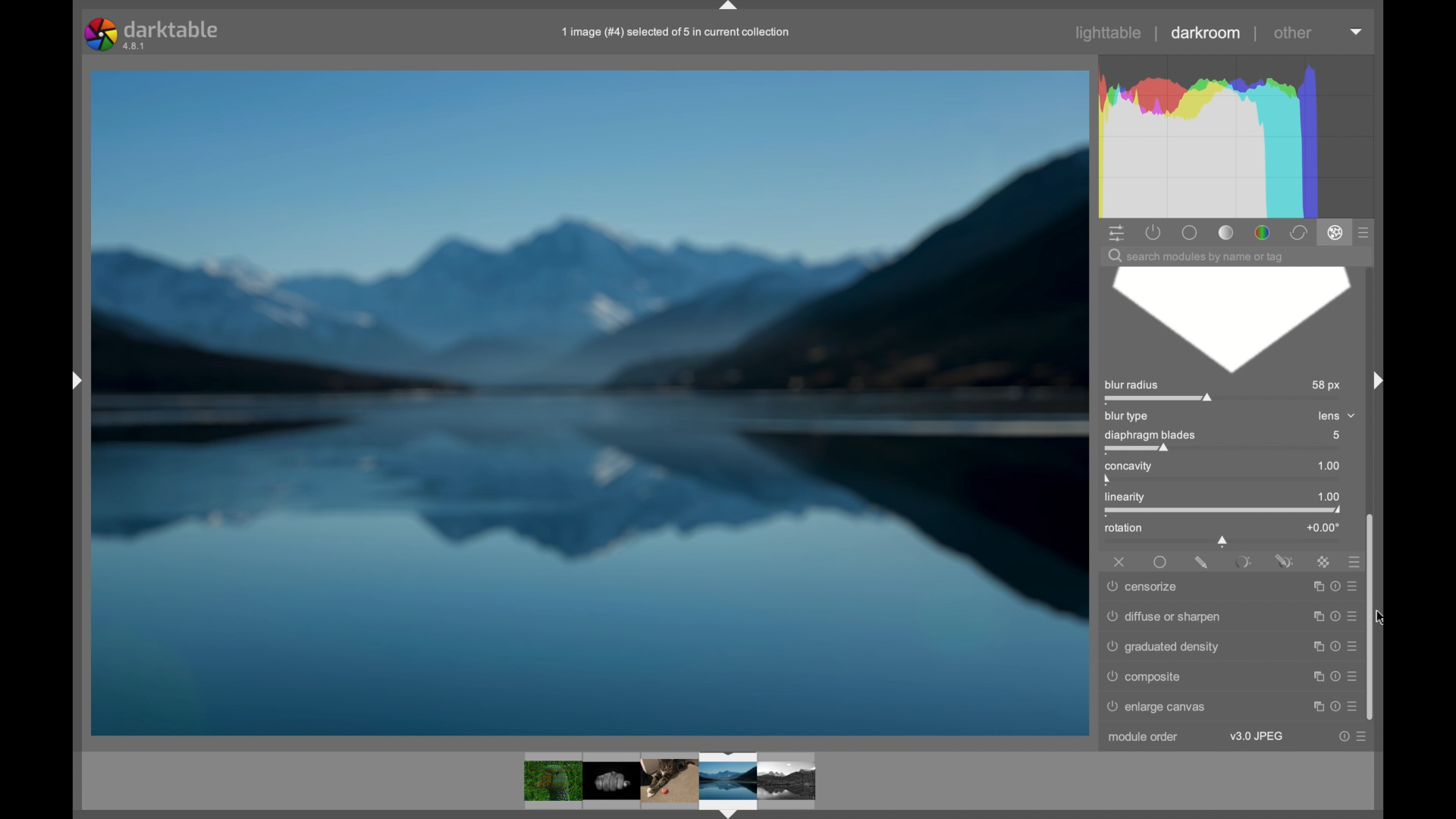 This screenshot has height=819, width=1456. Describe the element at coordinates (1201, 562) in the screenshot. I see `drawnamsk` at that location.